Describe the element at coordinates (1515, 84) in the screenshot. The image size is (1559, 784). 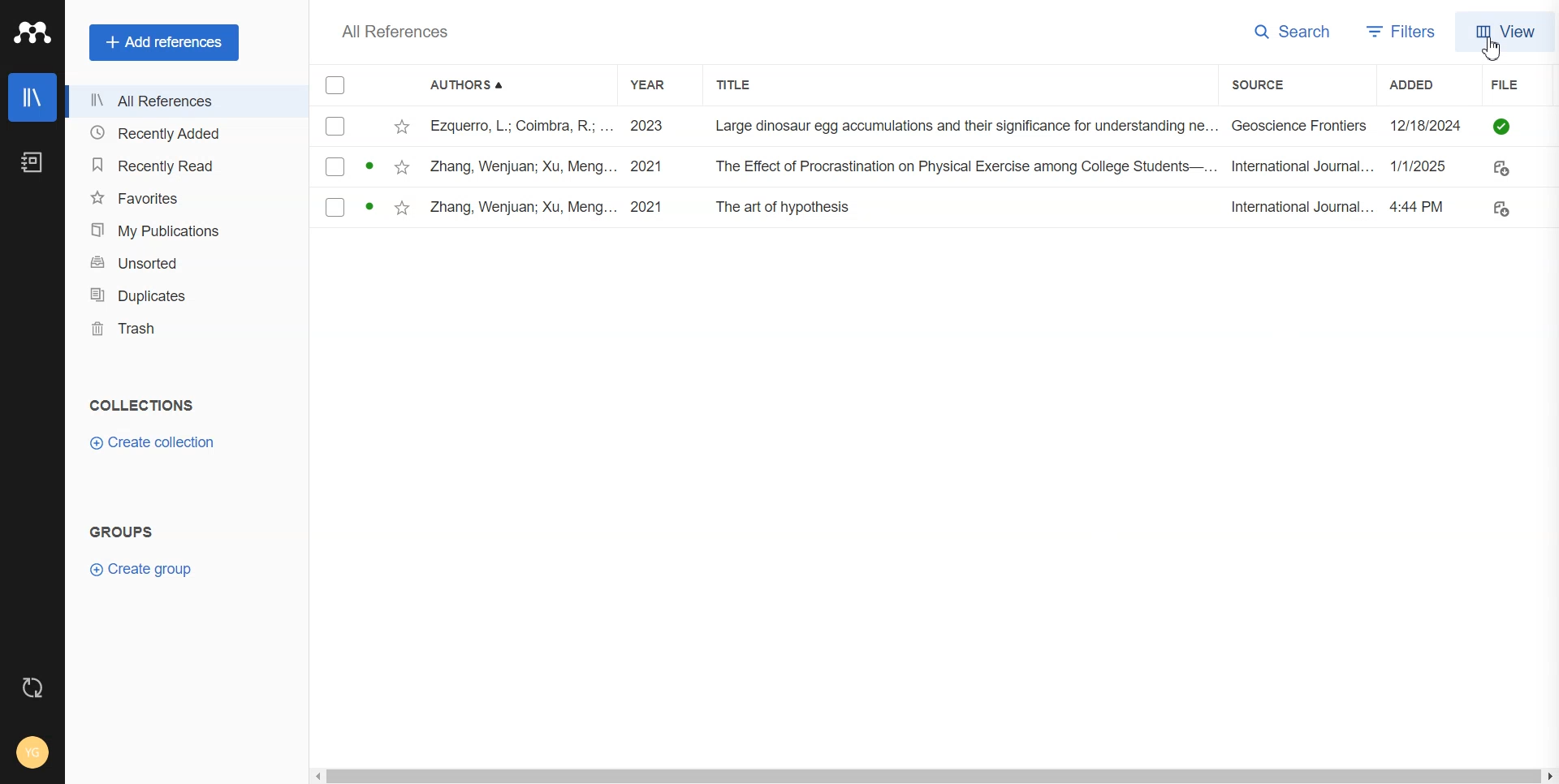
I see `File` at that location.